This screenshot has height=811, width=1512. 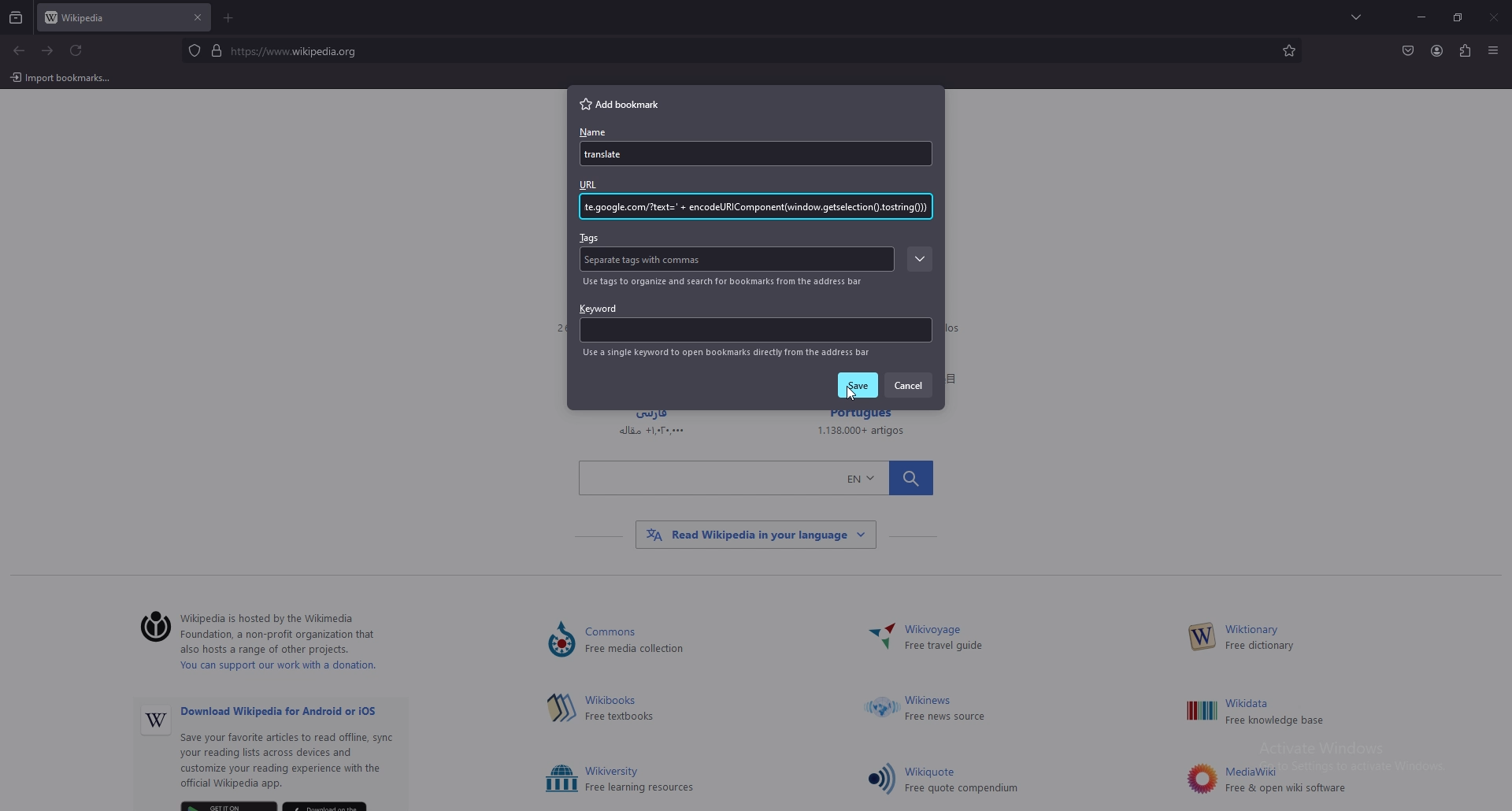 What do you see at coordinates (917, 260) in the screenshot?
I see `expand` at bounding box center [917, 260].